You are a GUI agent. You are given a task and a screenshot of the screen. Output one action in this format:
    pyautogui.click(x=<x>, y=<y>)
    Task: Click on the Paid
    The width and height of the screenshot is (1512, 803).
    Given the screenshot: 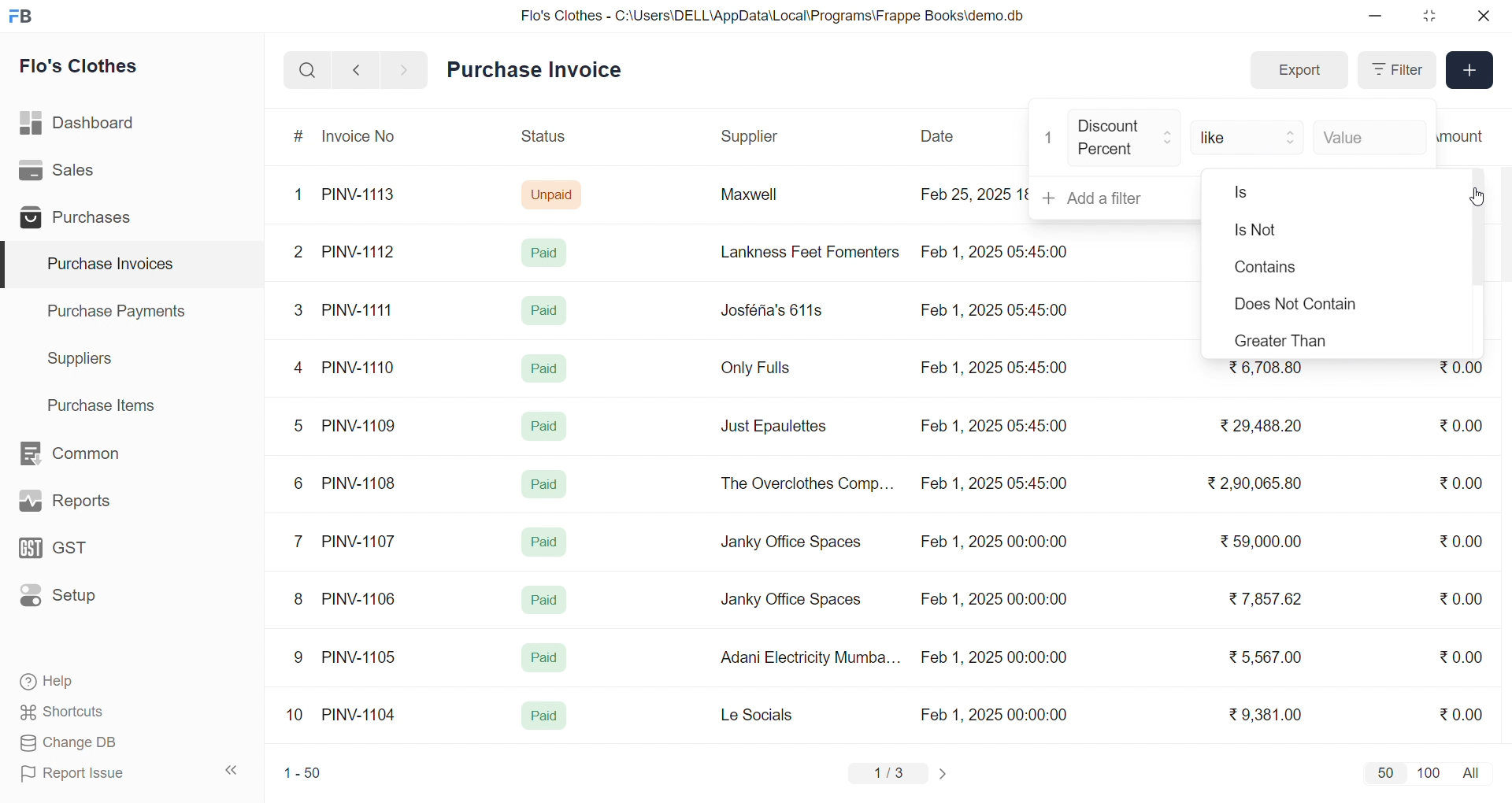 What is the action you would take?
    pyautogui.click(x=545, y=310)
    